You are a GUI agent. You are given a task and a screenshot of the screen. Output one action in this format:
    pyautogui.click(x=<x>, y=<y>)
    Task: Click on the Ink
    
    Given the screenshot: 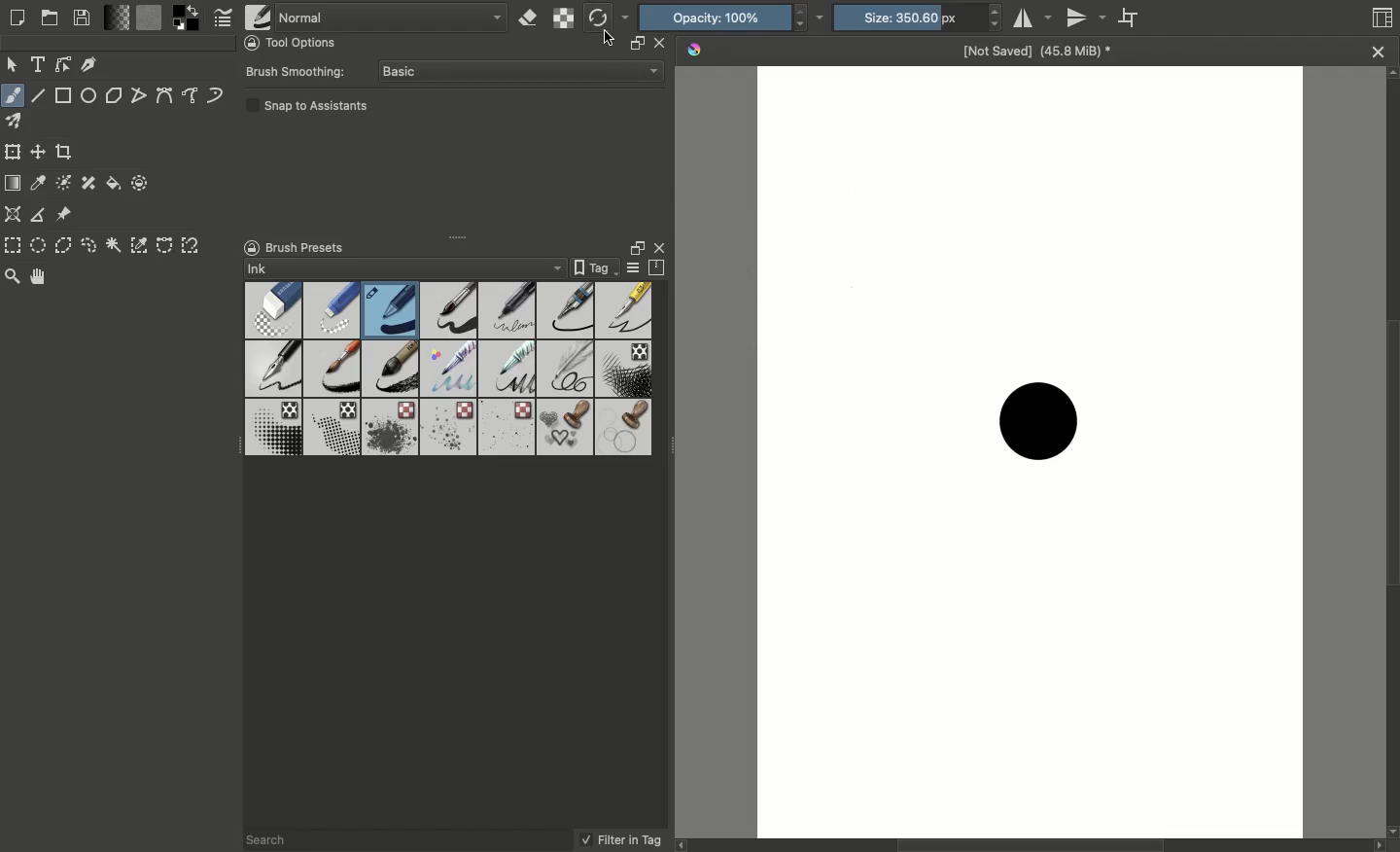 What is the action you would take?
    pyautogui.click(x=403, y=268)
    